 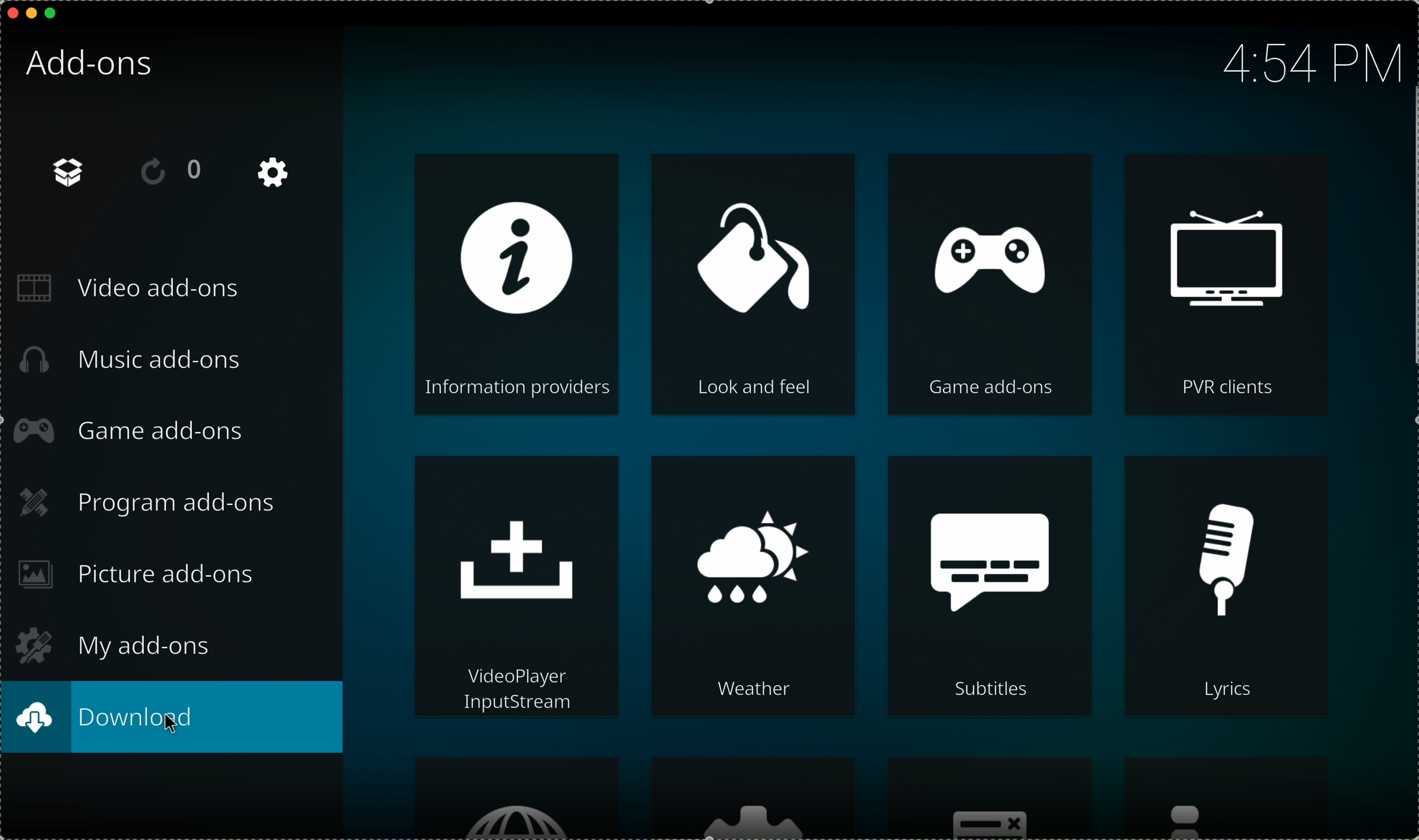 What do you see at coordinates (139, 575) in the screenshot?
I see `picture add-ons` at bounding box center [139, 575].